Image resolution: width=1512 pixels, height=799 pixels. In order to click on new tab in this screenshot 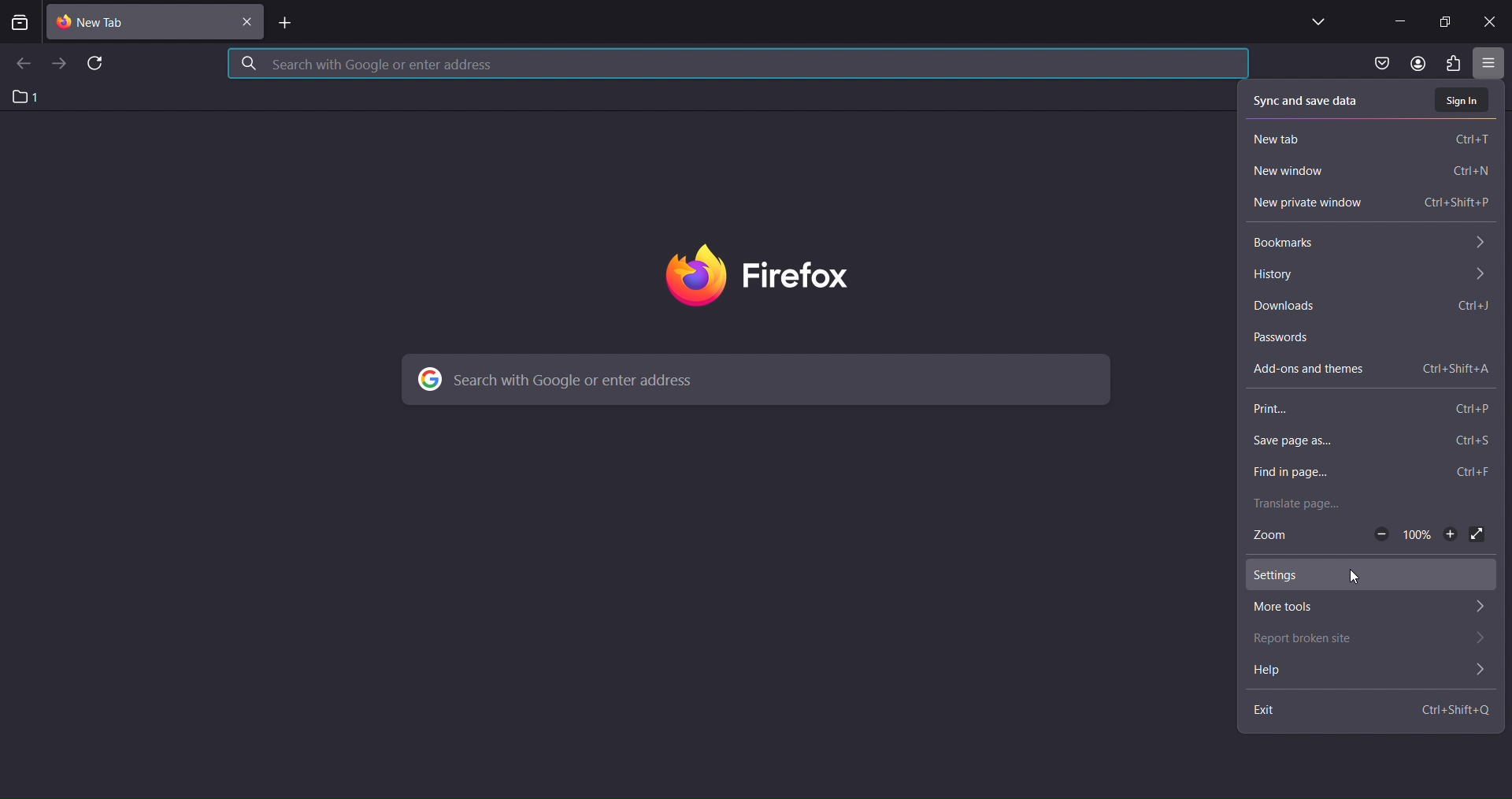, I will do `click(283, 25)`.